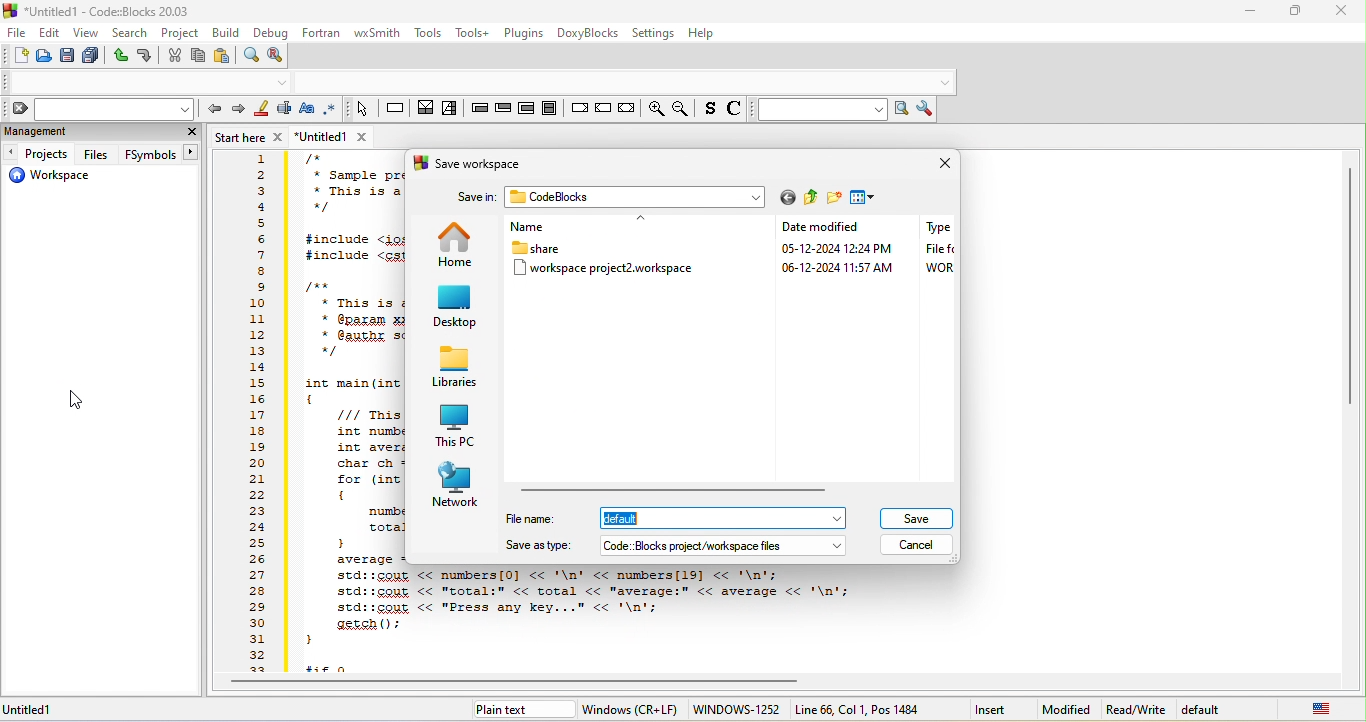 The width and height of the screenshot is (1366, 722). I want to click on search to text, so click(819, 111).